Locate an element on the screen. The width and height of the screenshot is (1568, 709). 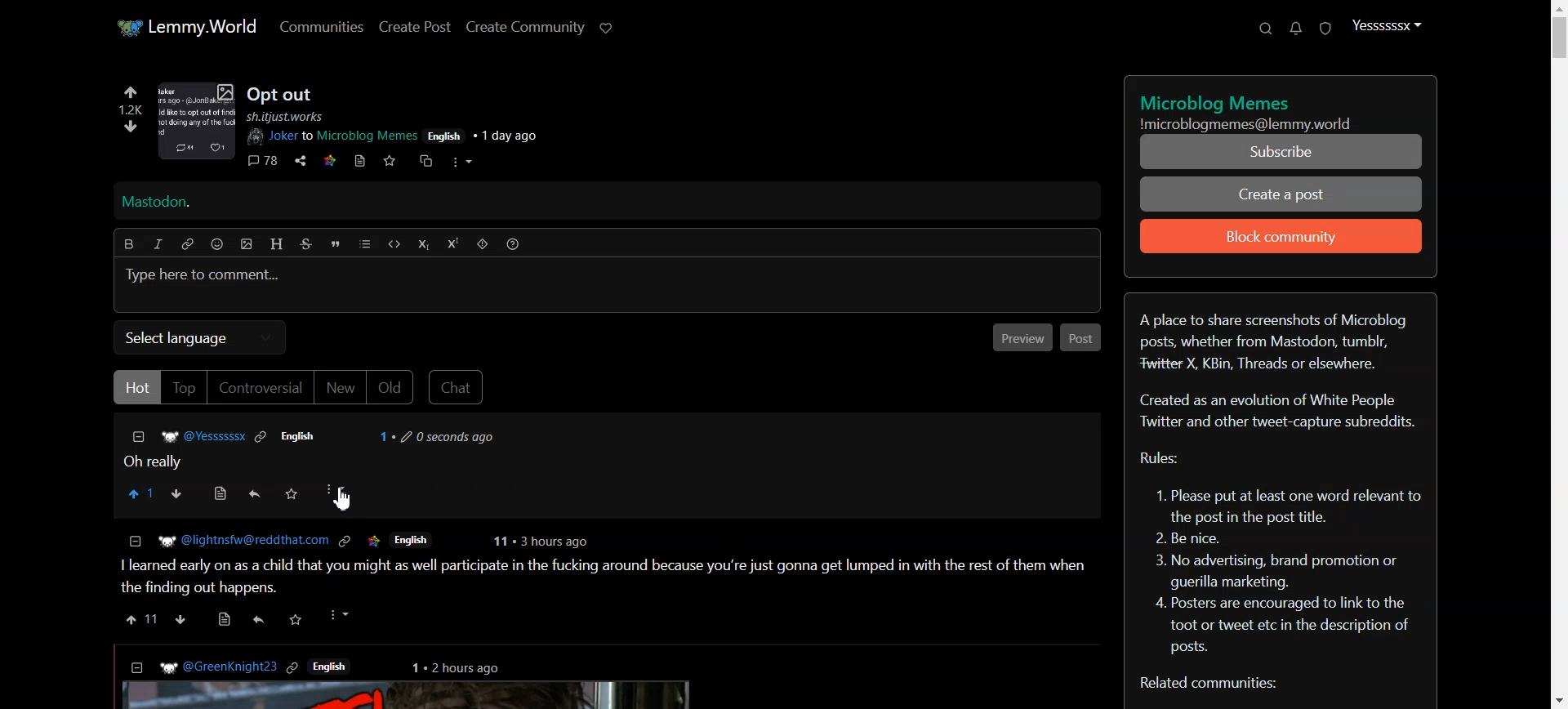
upvote is located at coordinates (130, 94).